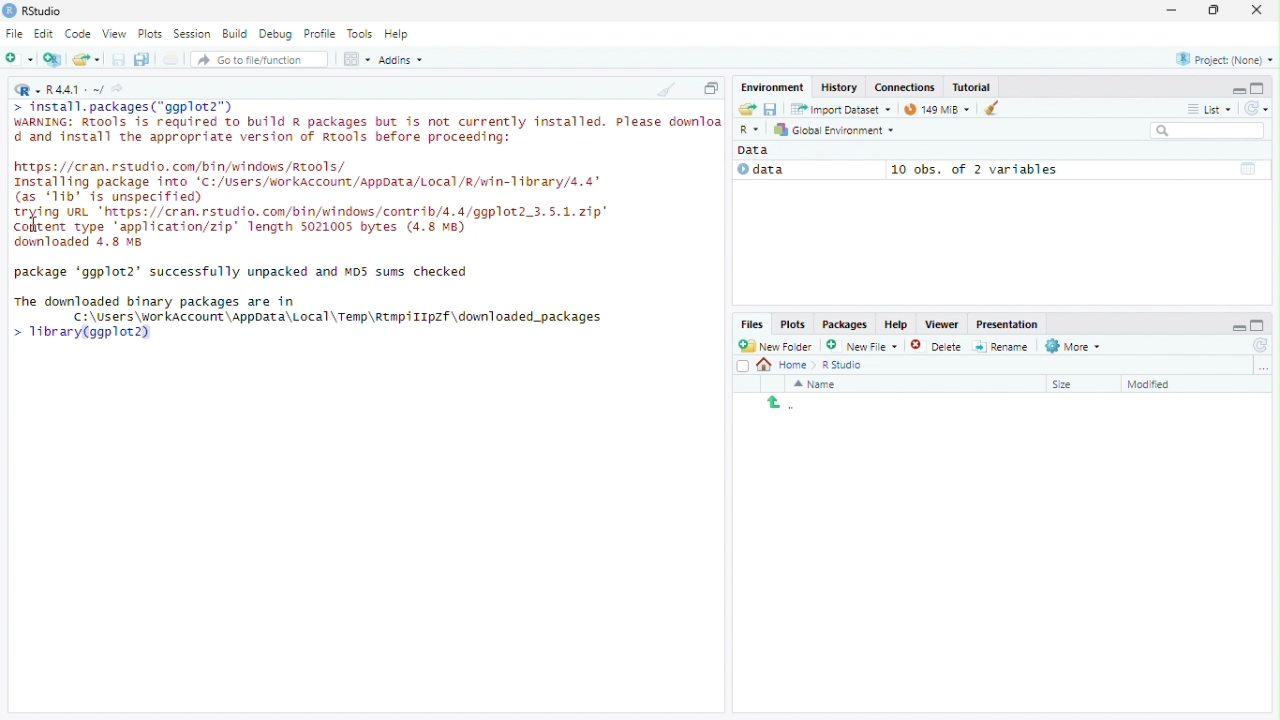 The width and height of the screenshot is (1280, 720). I want to click on Help, so click(400, 35).